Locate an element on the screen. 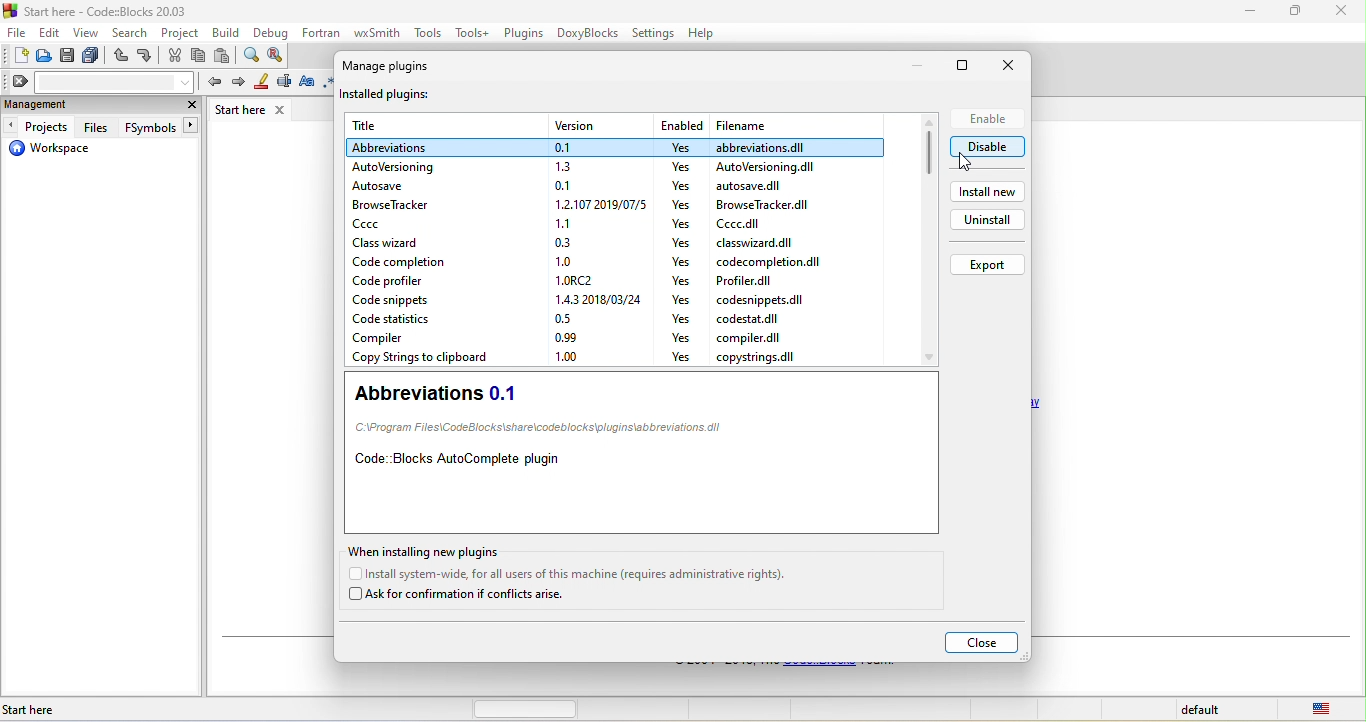 This screenshot has width=1366, height=722. yes is located at coordinates (680, 356).